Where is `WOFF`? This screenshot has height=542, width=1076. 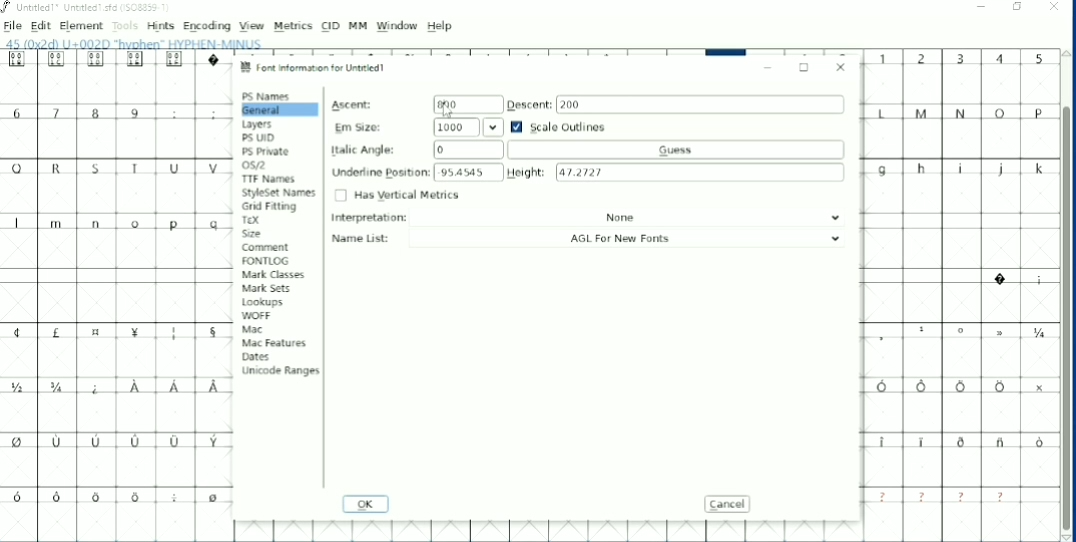 WOFF is located at coordinates (256, 316).